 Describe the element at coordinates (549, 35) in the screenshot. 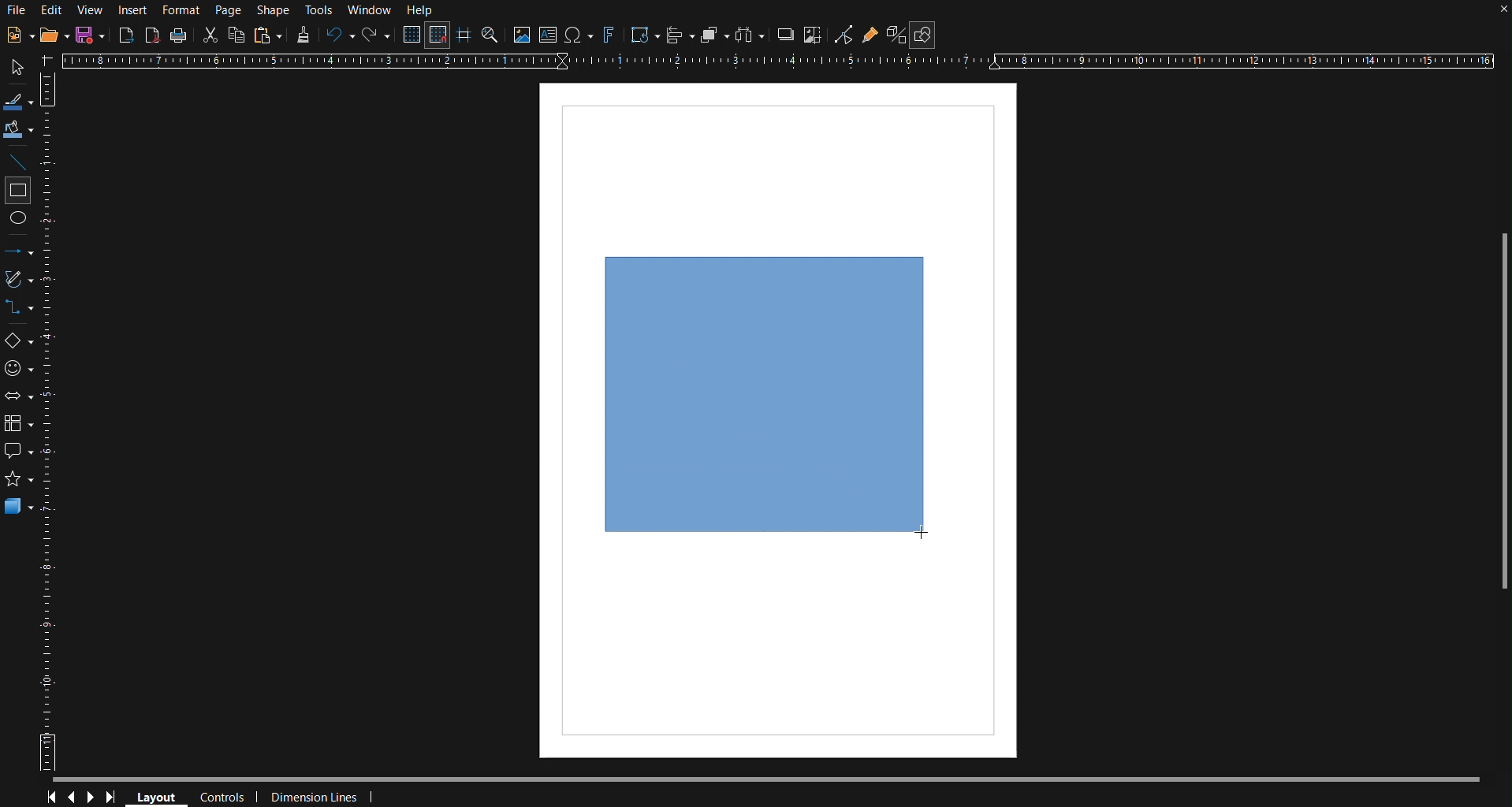

I see `Insert Textbox` at that location.